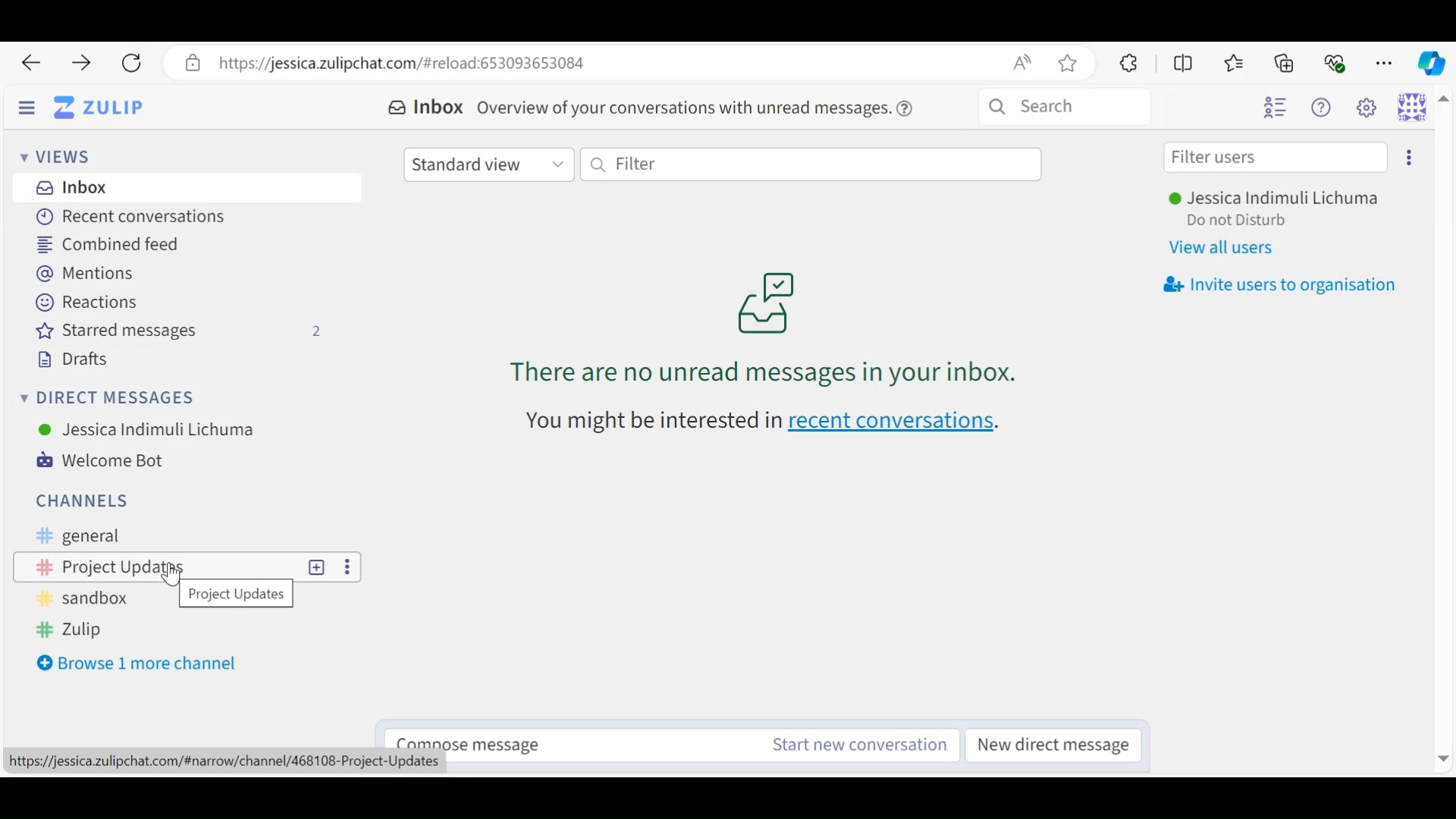 Image resolution: width=1456 pixels, height=819 pixels. Describe the element at coordinates (1430, 61) in the screenshot. I see `Copilot` at that location.